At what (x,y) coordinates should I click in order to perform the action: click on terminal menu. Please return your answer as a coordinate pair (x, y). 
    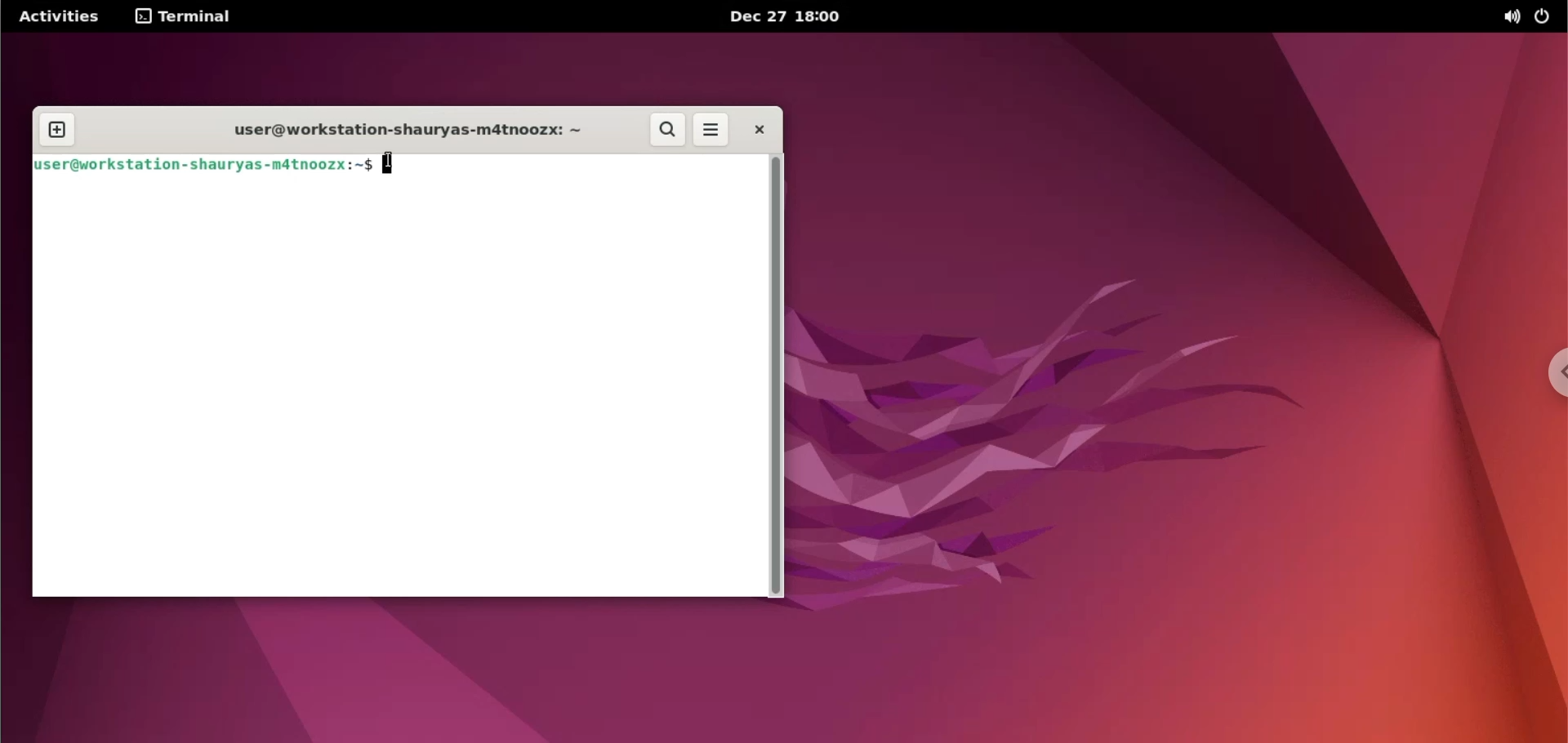
    Looking at the image, I should click on (189, 17).